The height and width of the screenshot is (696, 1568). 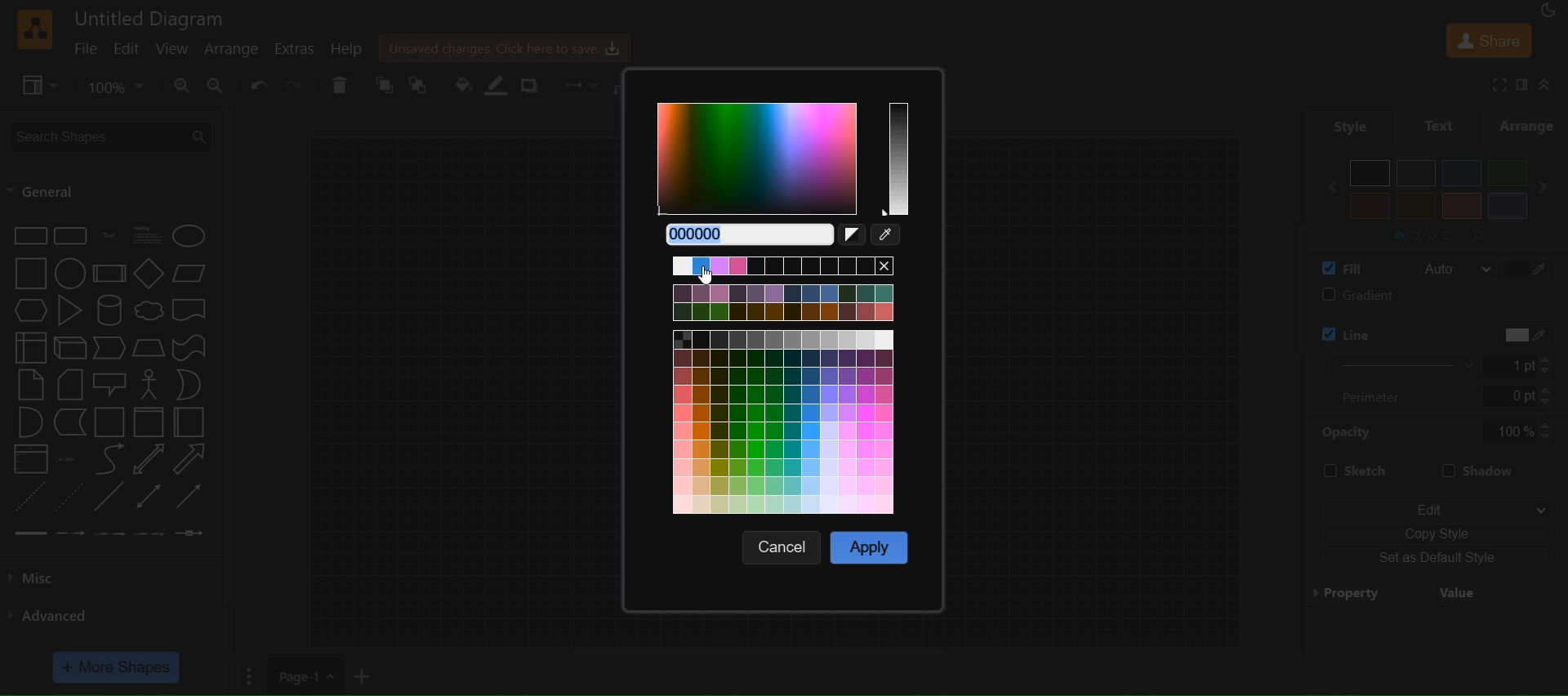 What do you see at coordinates (57, 613) in the screenshot?
I see `advanced` at bounding box center [57, 613].